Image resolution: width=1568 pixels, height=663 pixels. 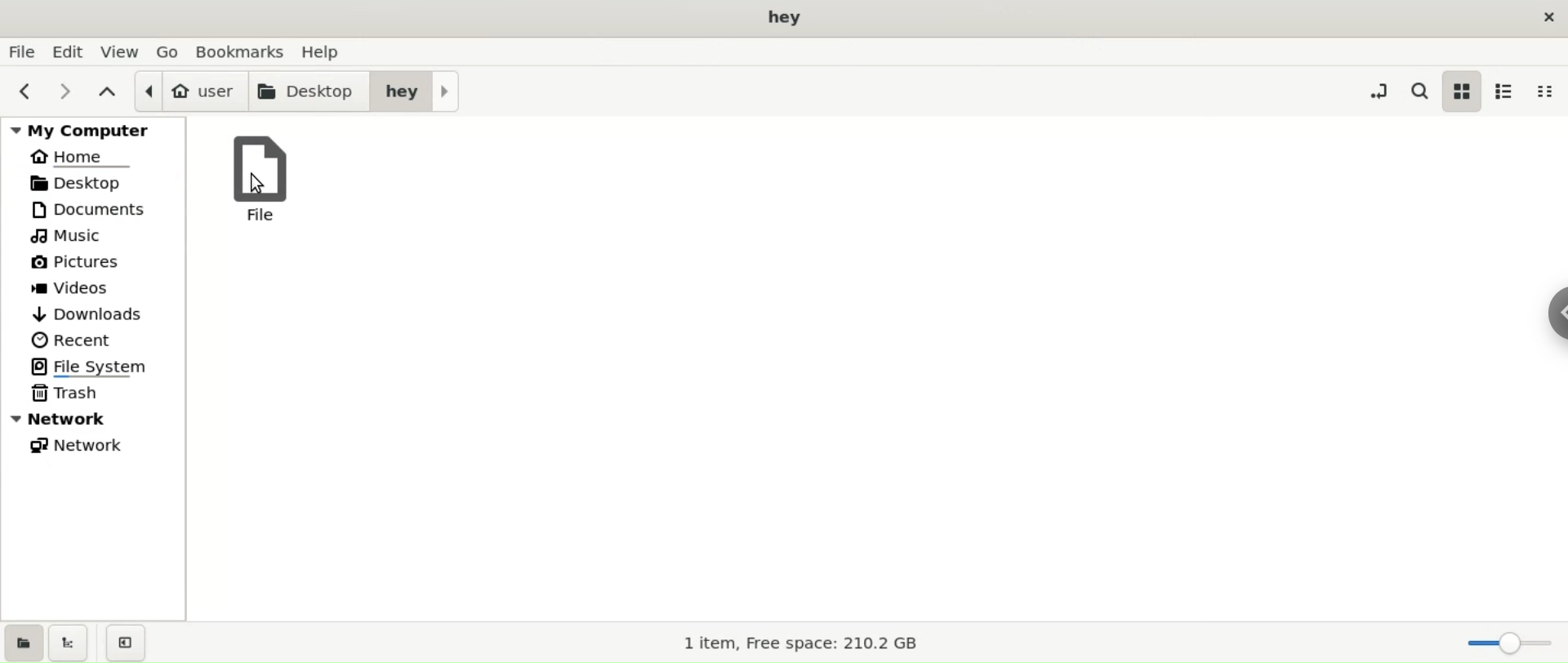 What do you see at coordinates (96, 238) in the screenshot?
I see `music` at bounding box center [96, 238].